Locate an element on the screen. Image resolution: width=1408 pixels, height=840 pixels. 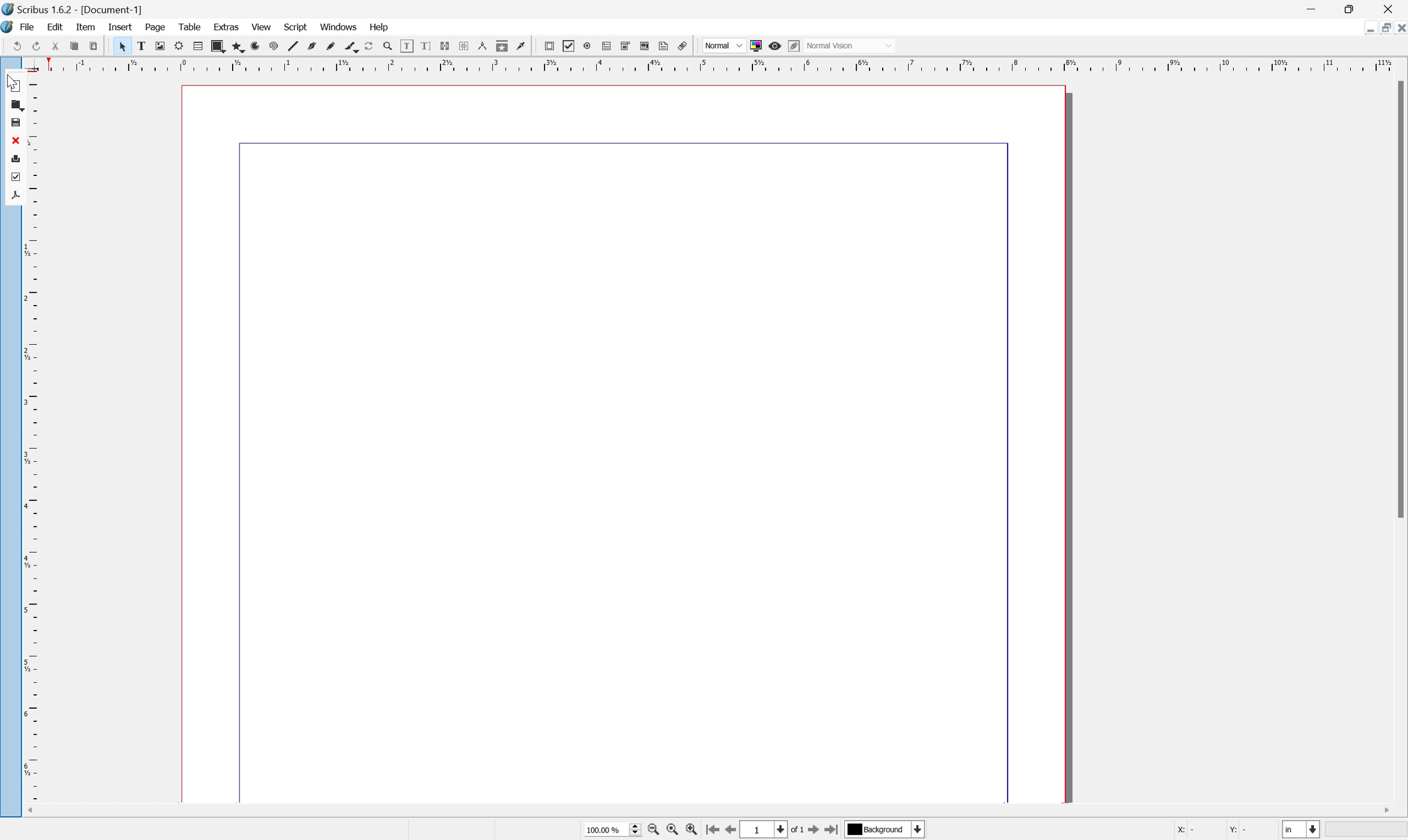
script is located at coordinates (297, 28).